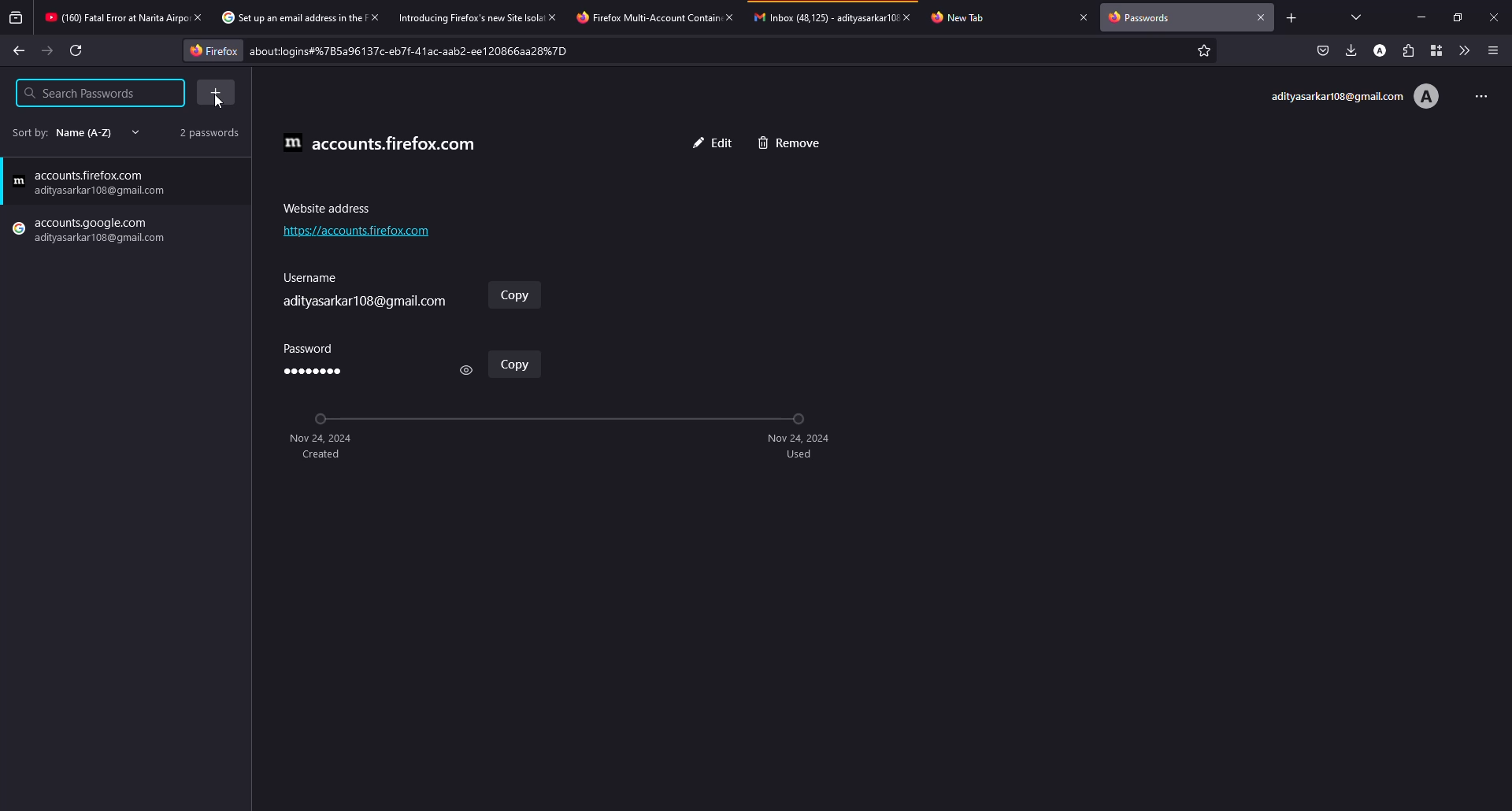  I want to click on passwords, so click(1143, 19).